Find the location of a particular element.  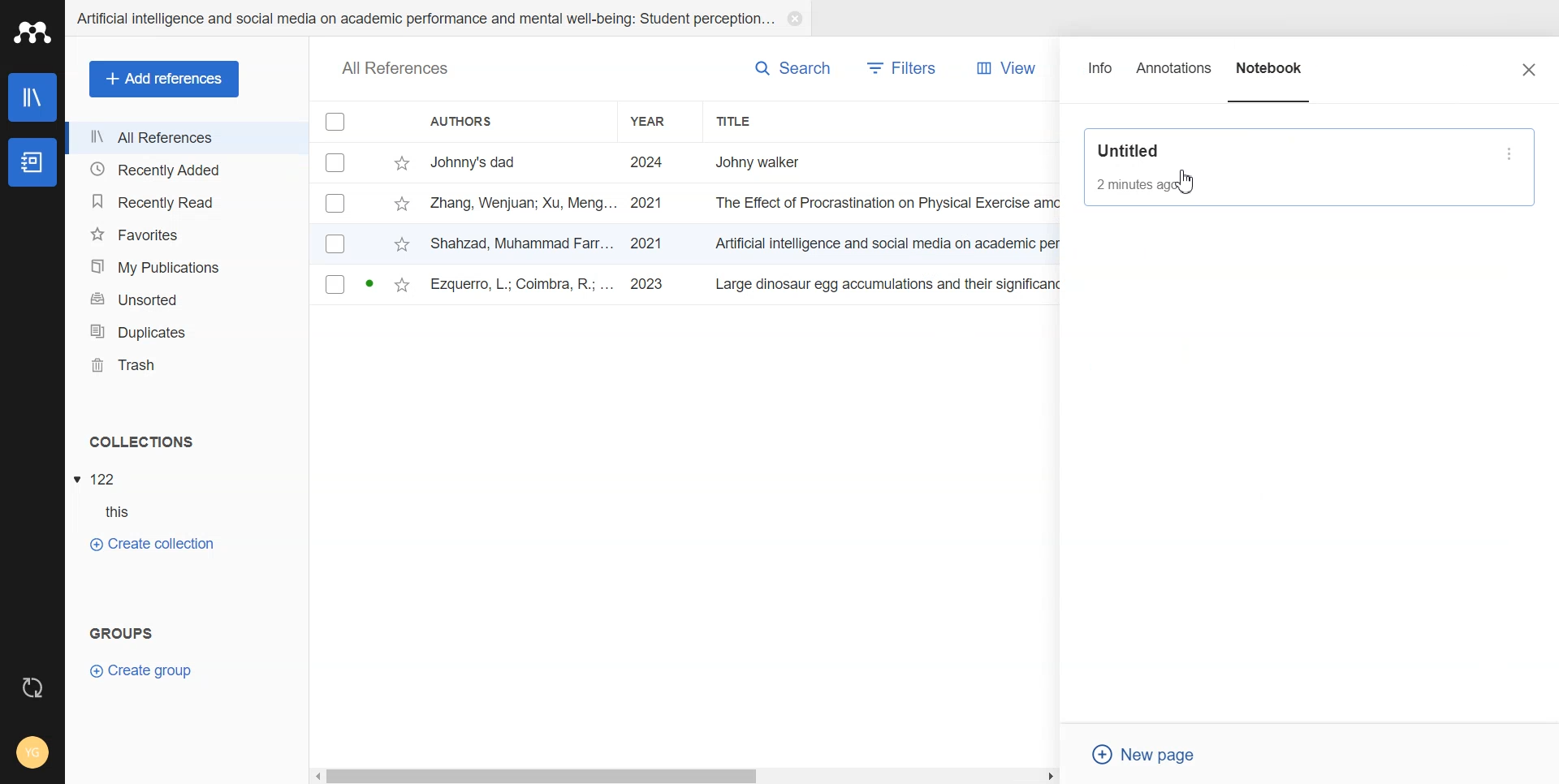

Horizontal Scroll bar is located at coordinates (686, 774).